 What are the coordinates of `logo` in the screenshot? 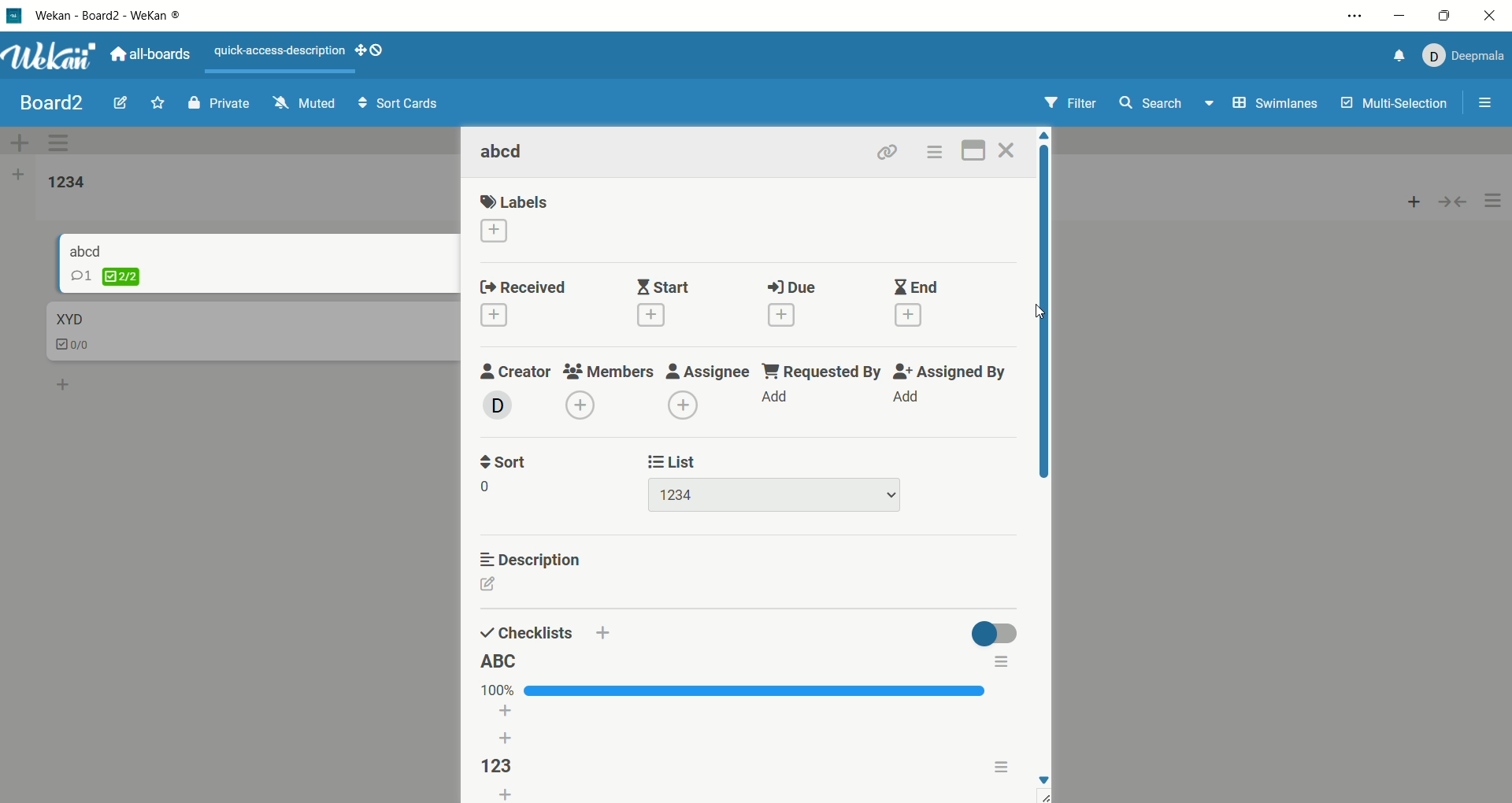 It's located at (15, 18).